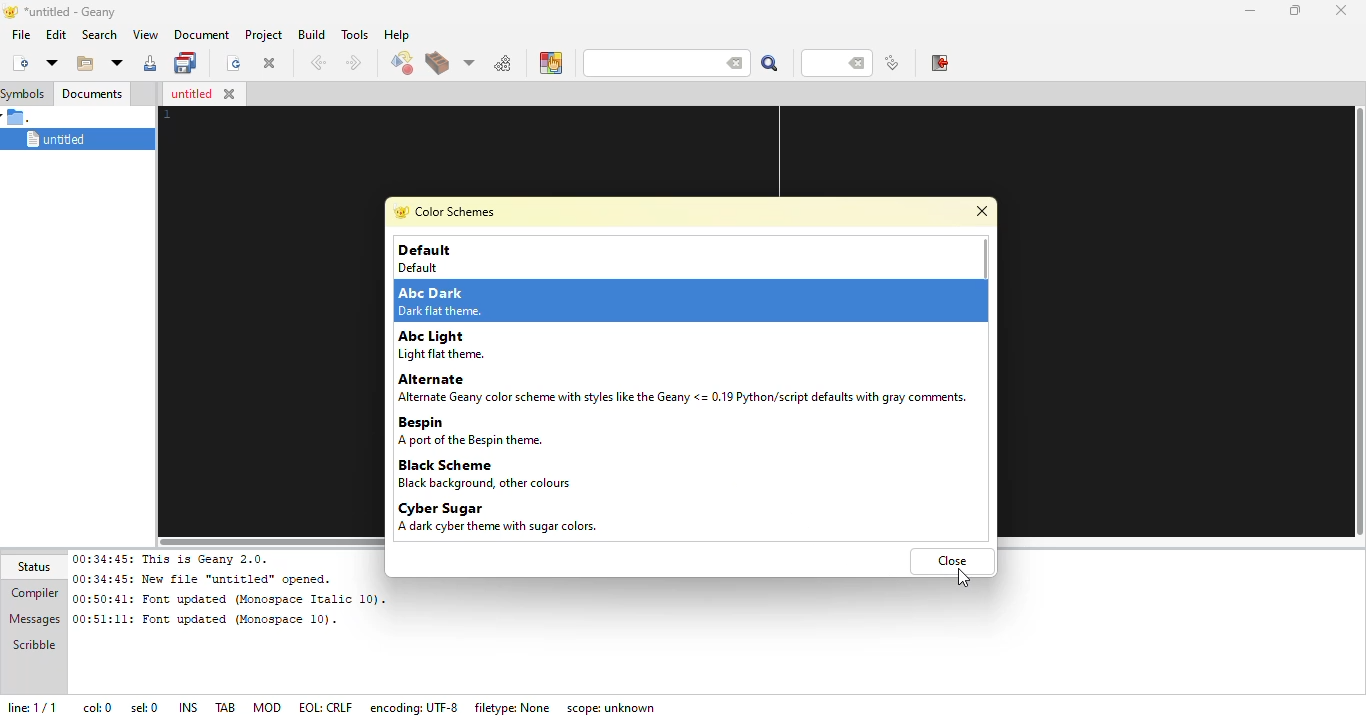 Image resolution: width=1366 pixels, height=720 pixels. What do you see at coordinates (149, 65) in the screenshot?
I see `save` at bounding box center [149, 65].